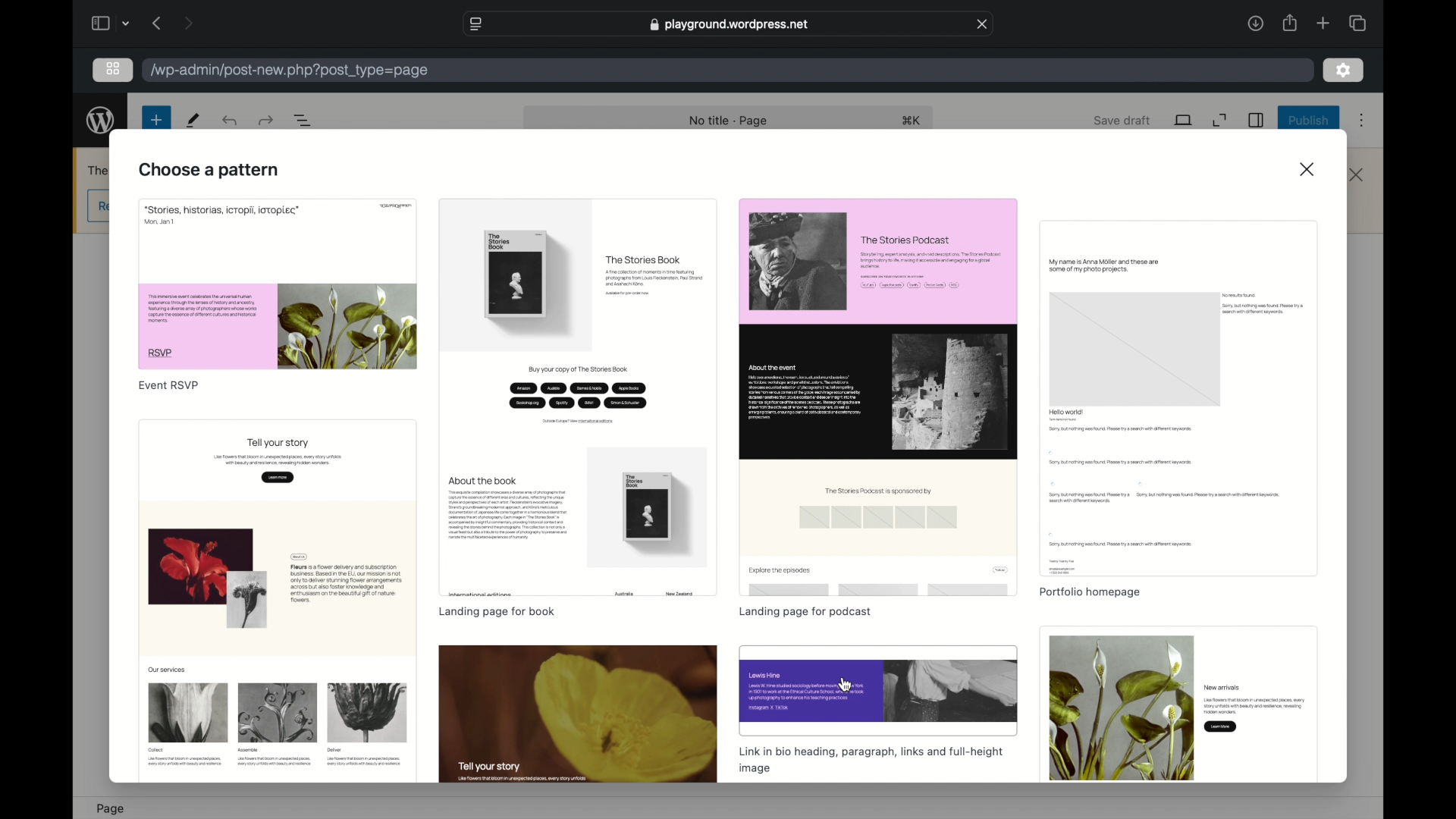 This screenshot has height=819, width=1456. Describe the element at coordinates (1255, 120) in the screenshot. I see `settings` at that location.